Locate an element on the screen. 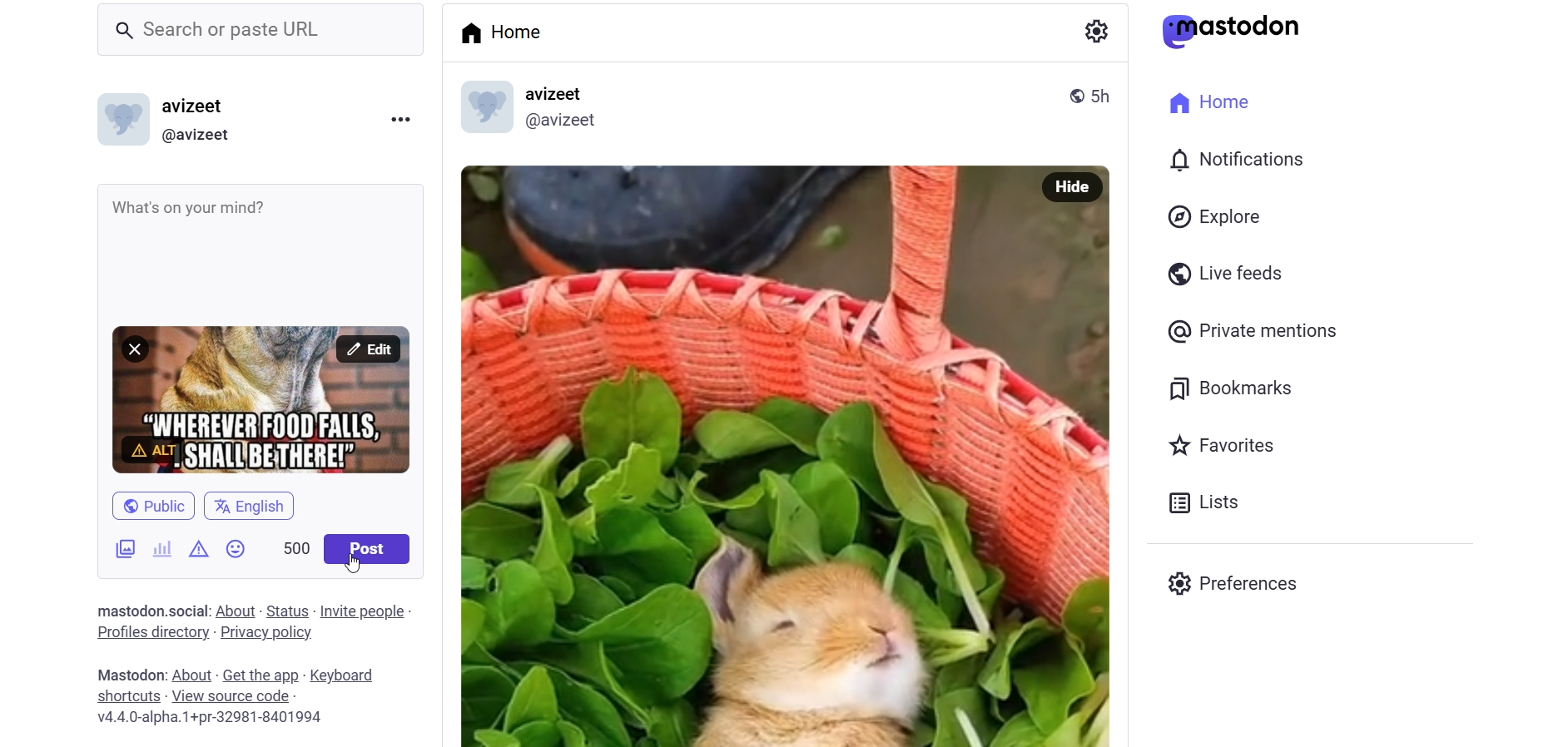 This screenshot has width=1568, height=747. source code is located at coordinates (231, 696).